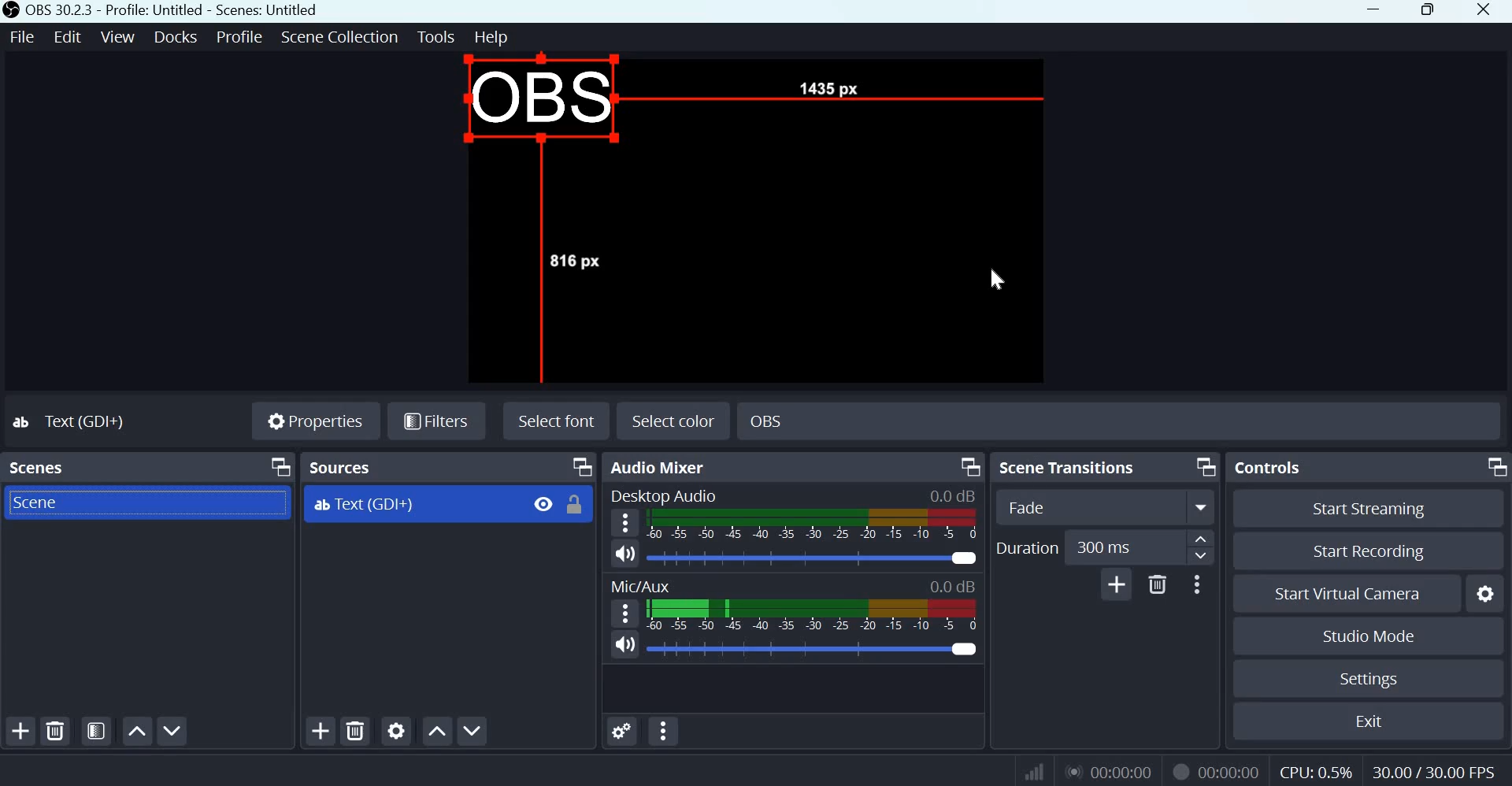 The image size is (1512, 786). I want to click on Audio Level Indicator, so click(953, 585).